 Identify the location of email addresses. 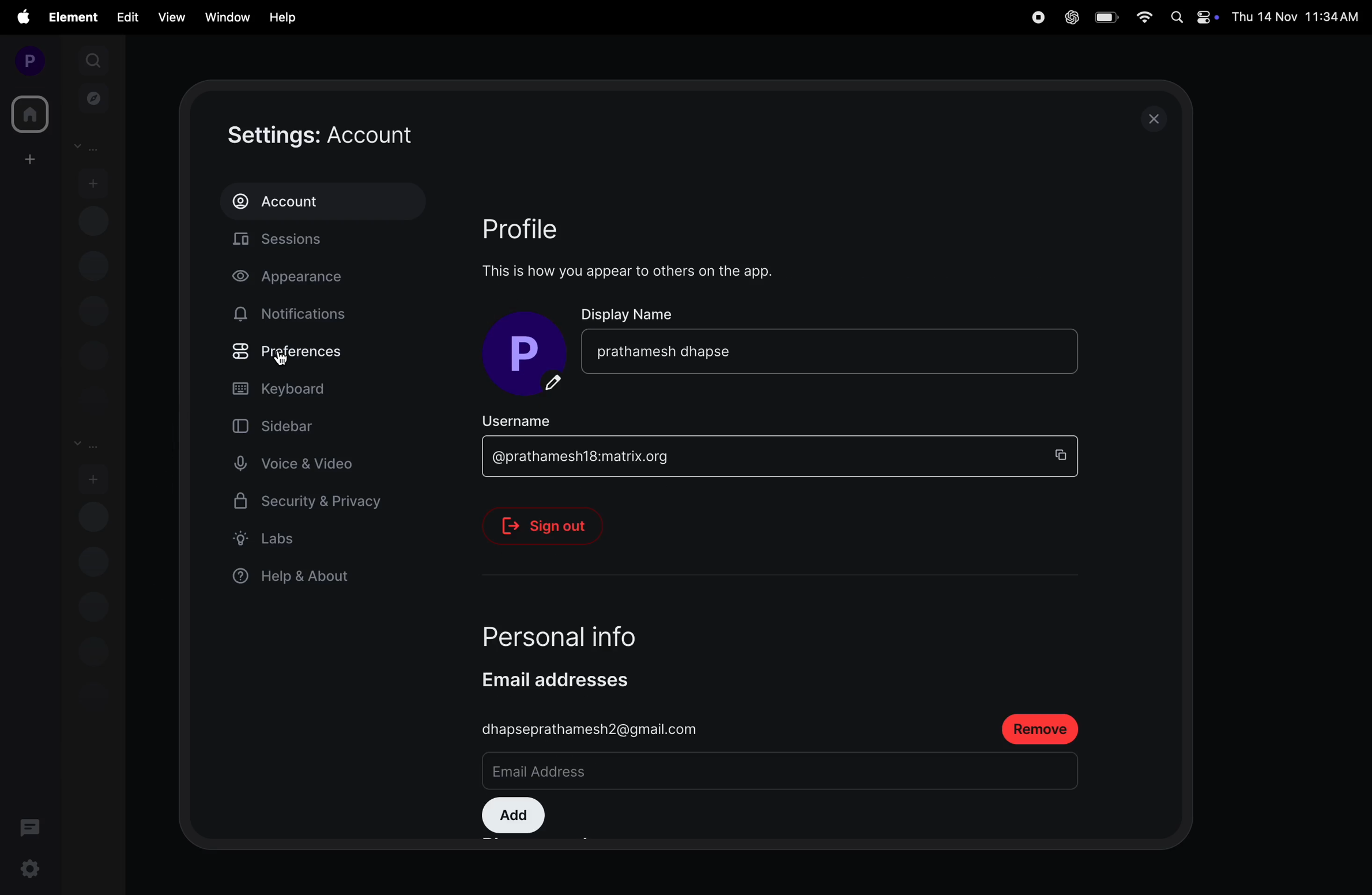
(578, 680).